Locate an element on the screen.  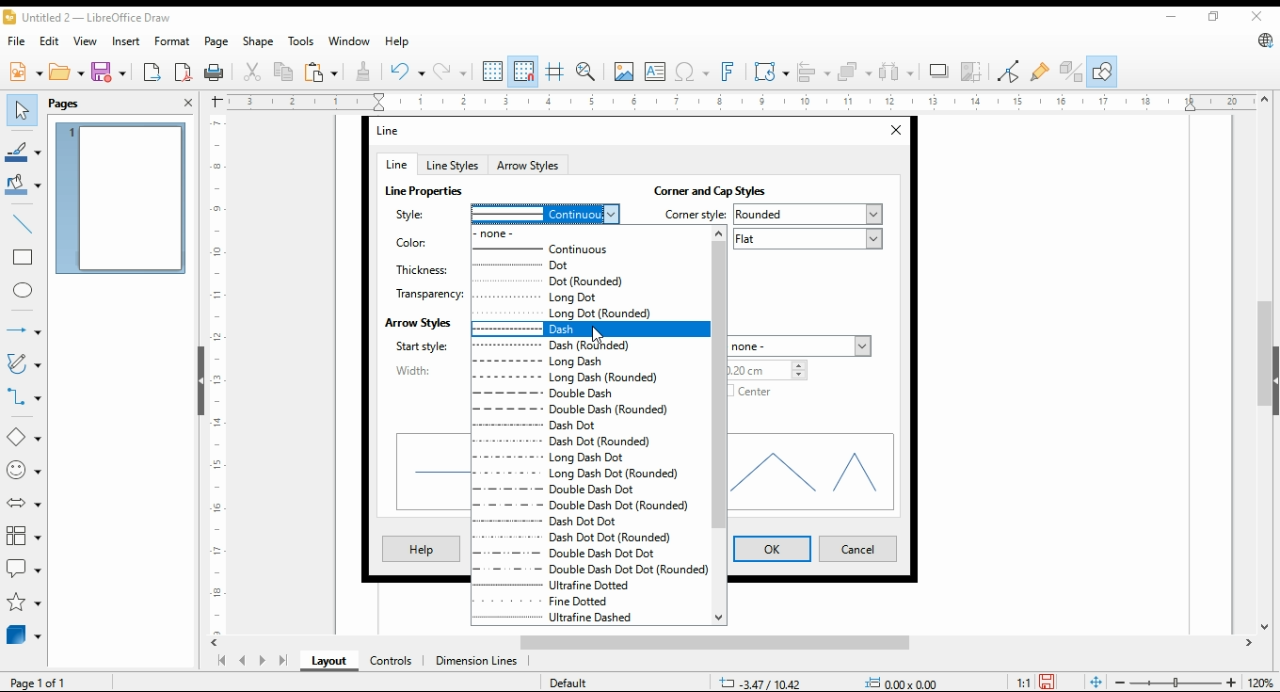
fill color is located at coordinates (23, 183).